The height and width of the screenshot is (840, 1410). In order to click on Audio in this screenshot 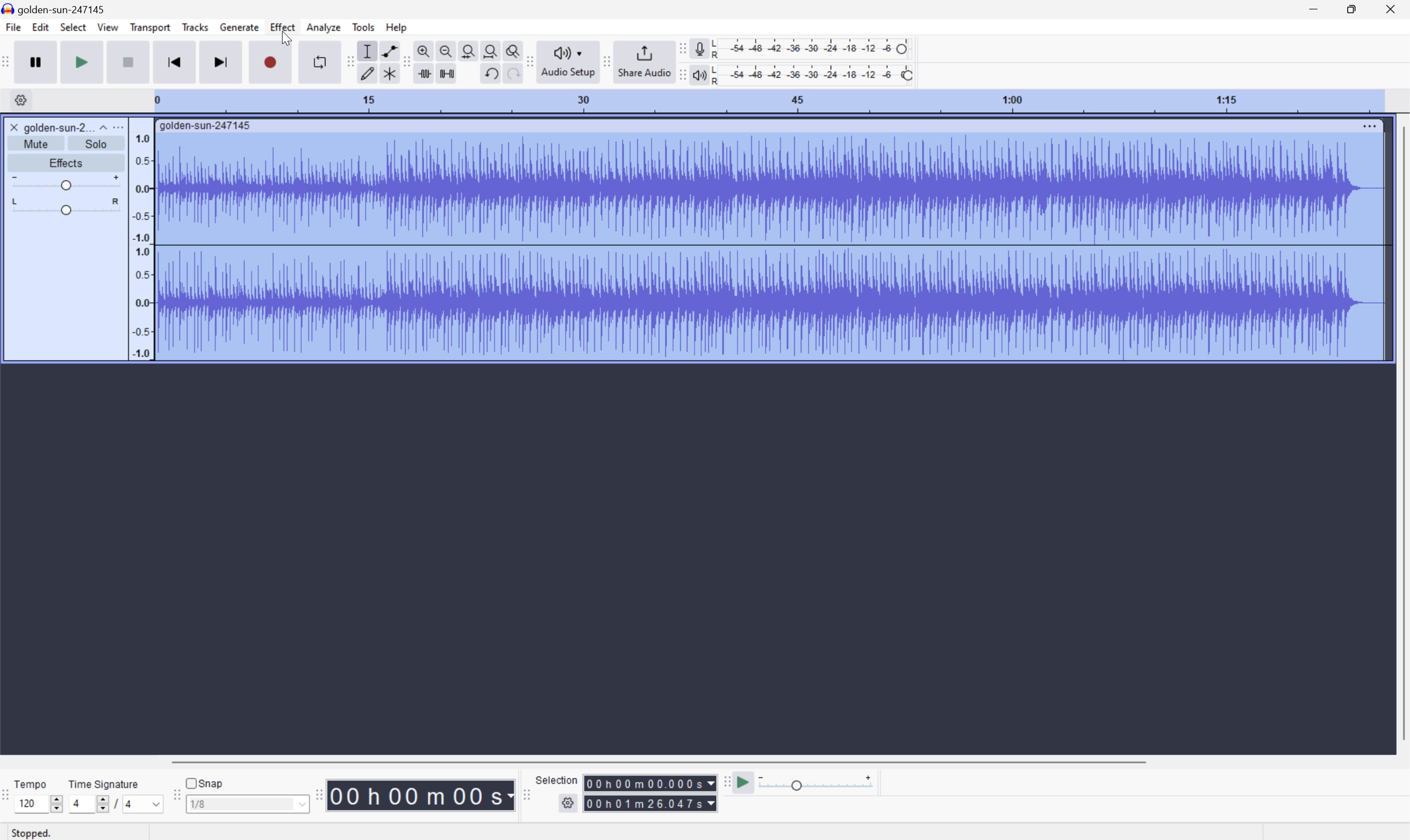, I will do `click(770, 247)`.